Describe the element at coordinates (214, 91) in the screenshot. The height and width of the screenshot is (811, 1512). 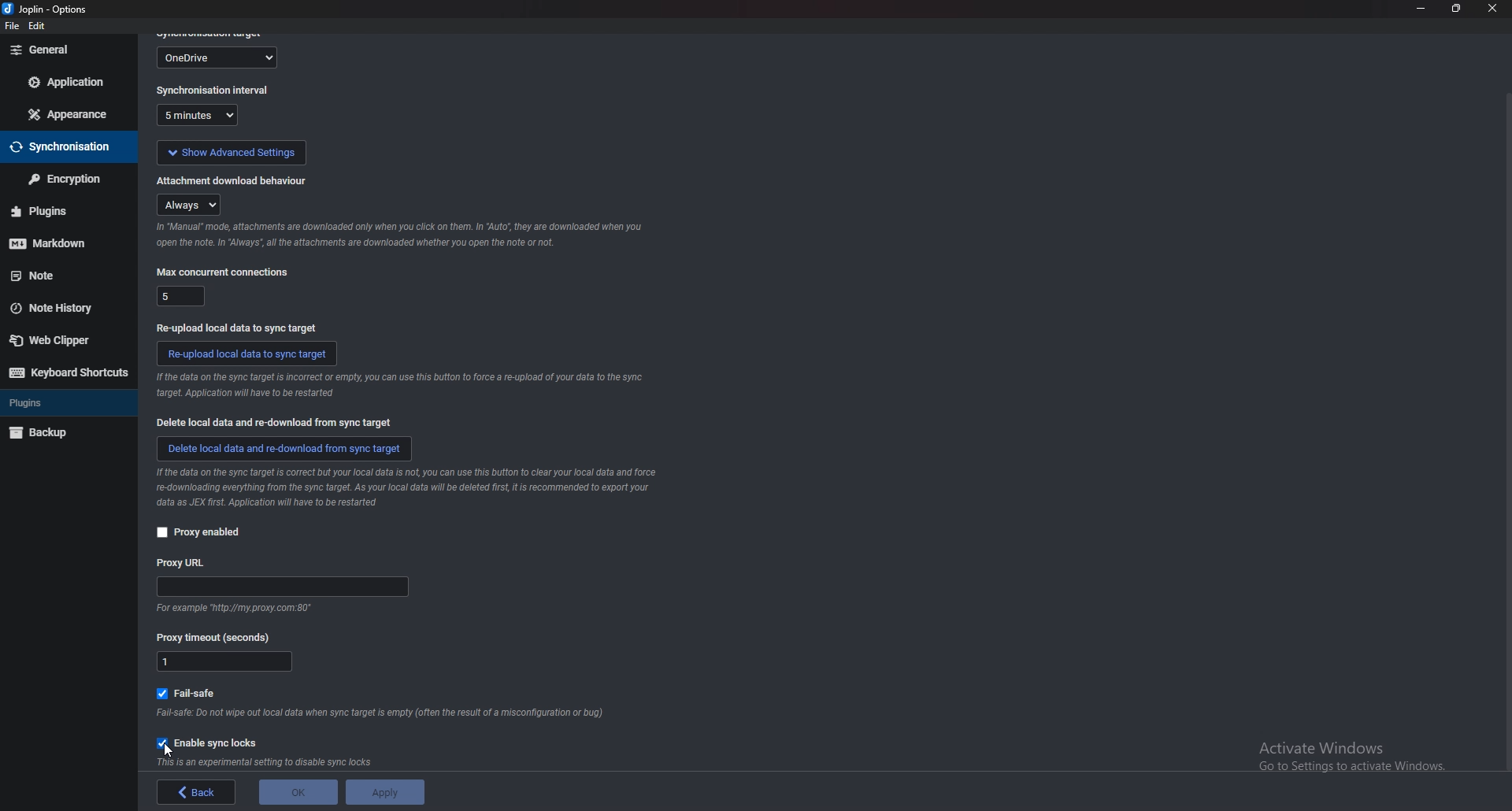
I see `sync interval` at that location.